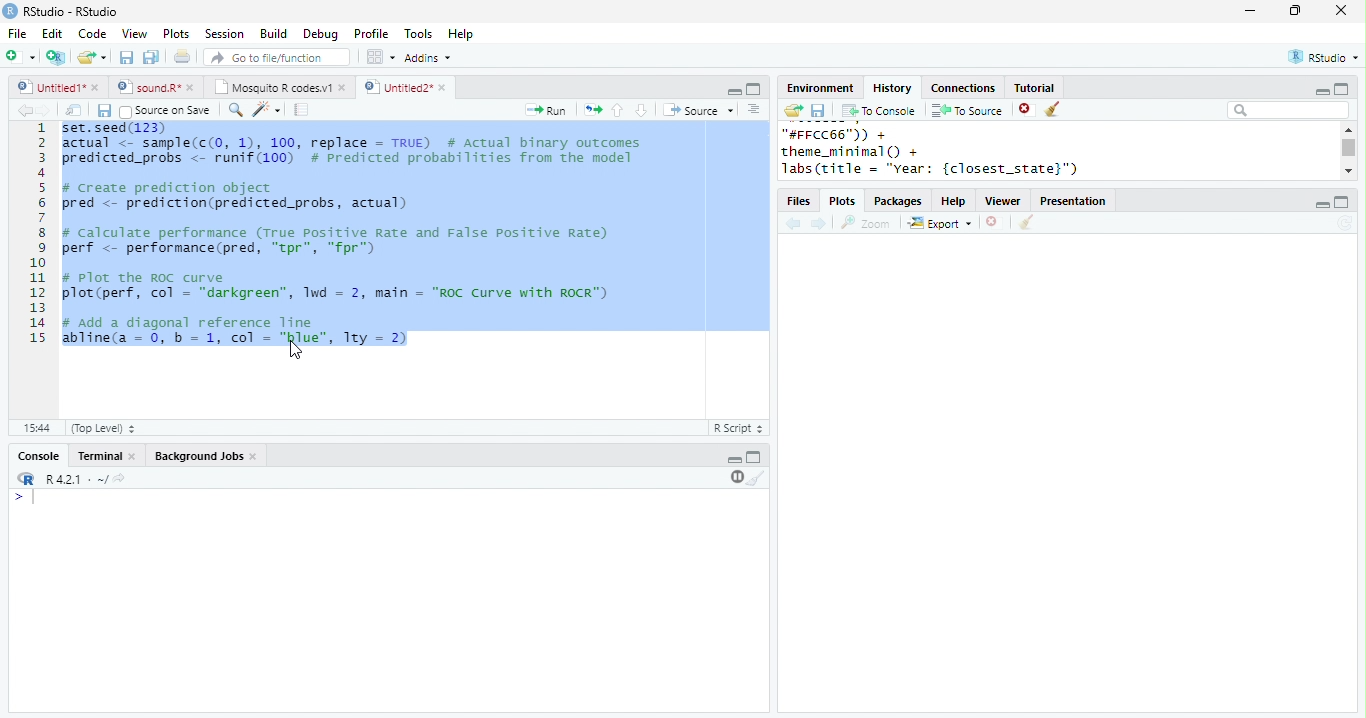 The height and width of the screenshot is (718, 1366). I want to click on close file, so click(995, 223).